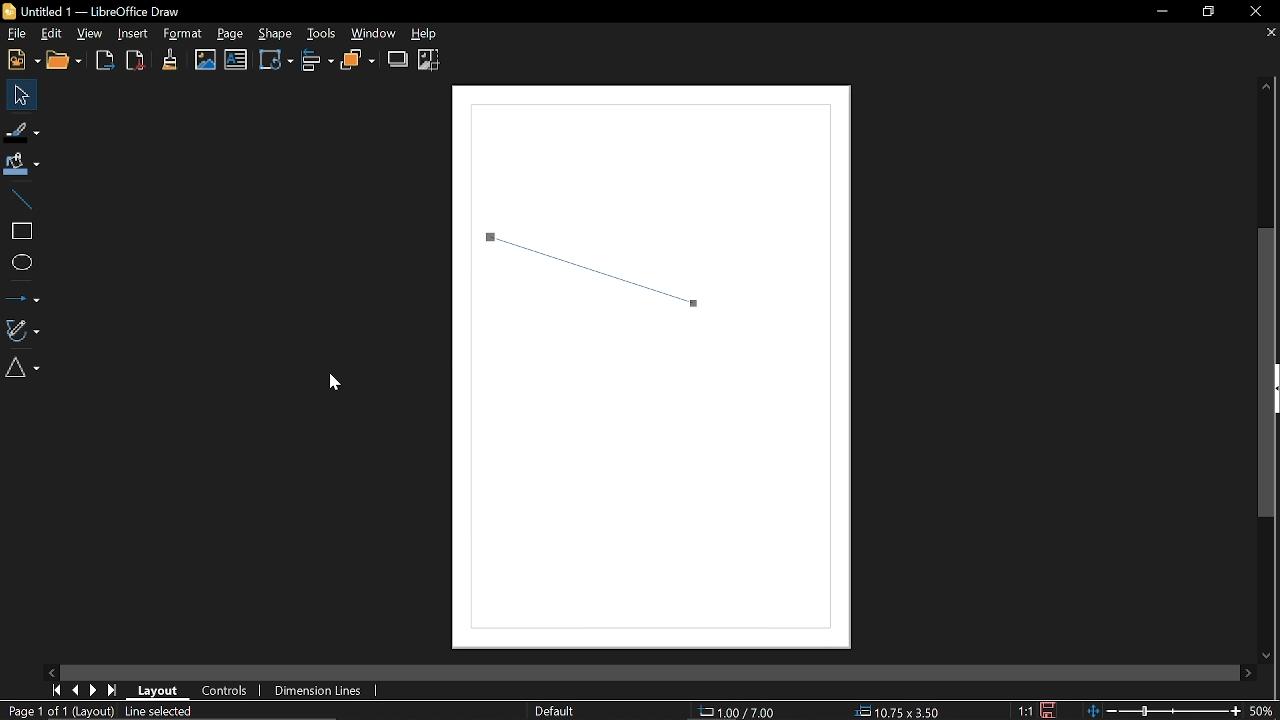 The image size is (1280, 720). I want to click on Insert , so click(130, 34).